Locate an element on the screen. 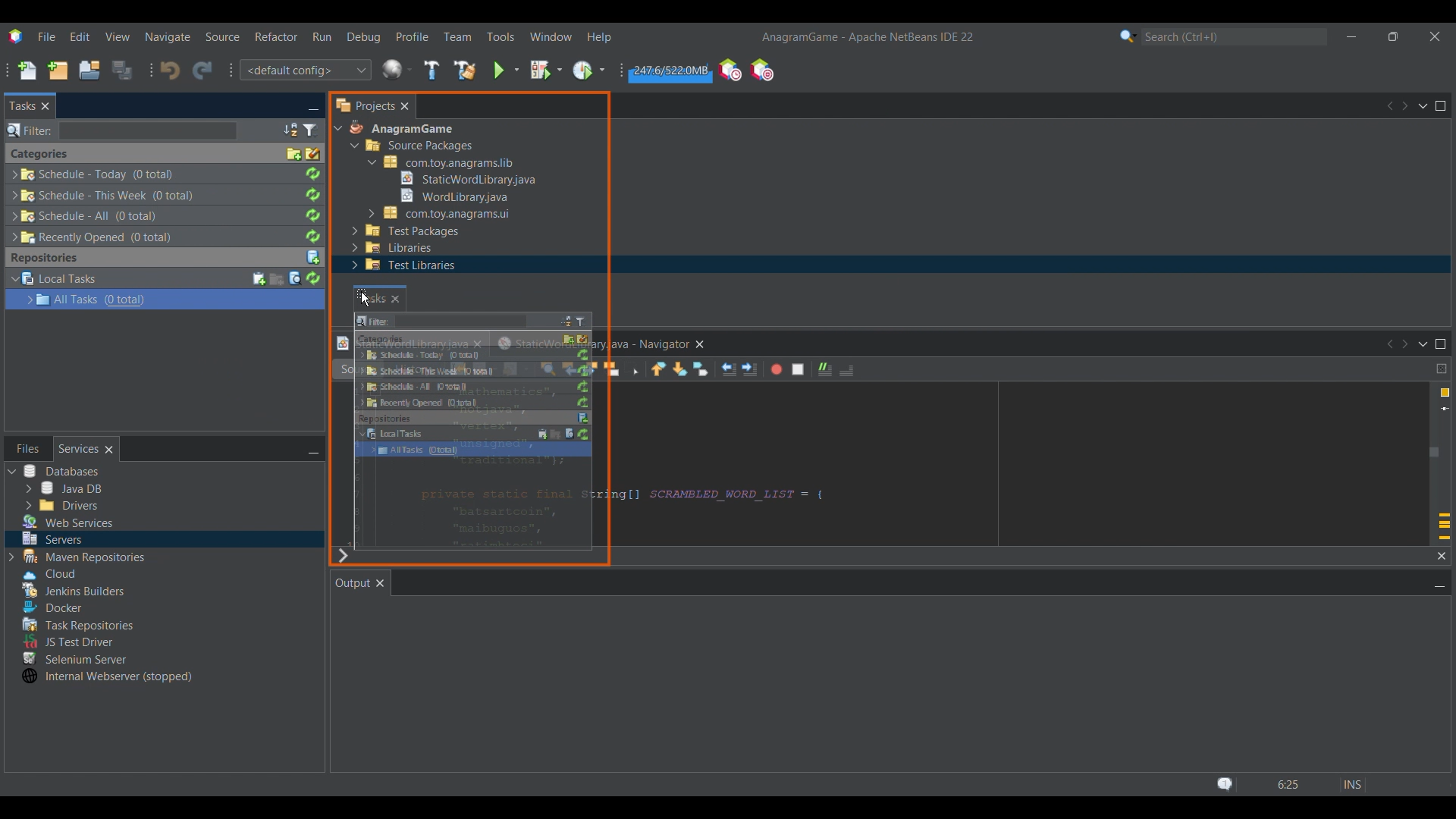 This screenshot has width=1456, height=819. Set tasks window sorting is located at coordinates (290, 130).